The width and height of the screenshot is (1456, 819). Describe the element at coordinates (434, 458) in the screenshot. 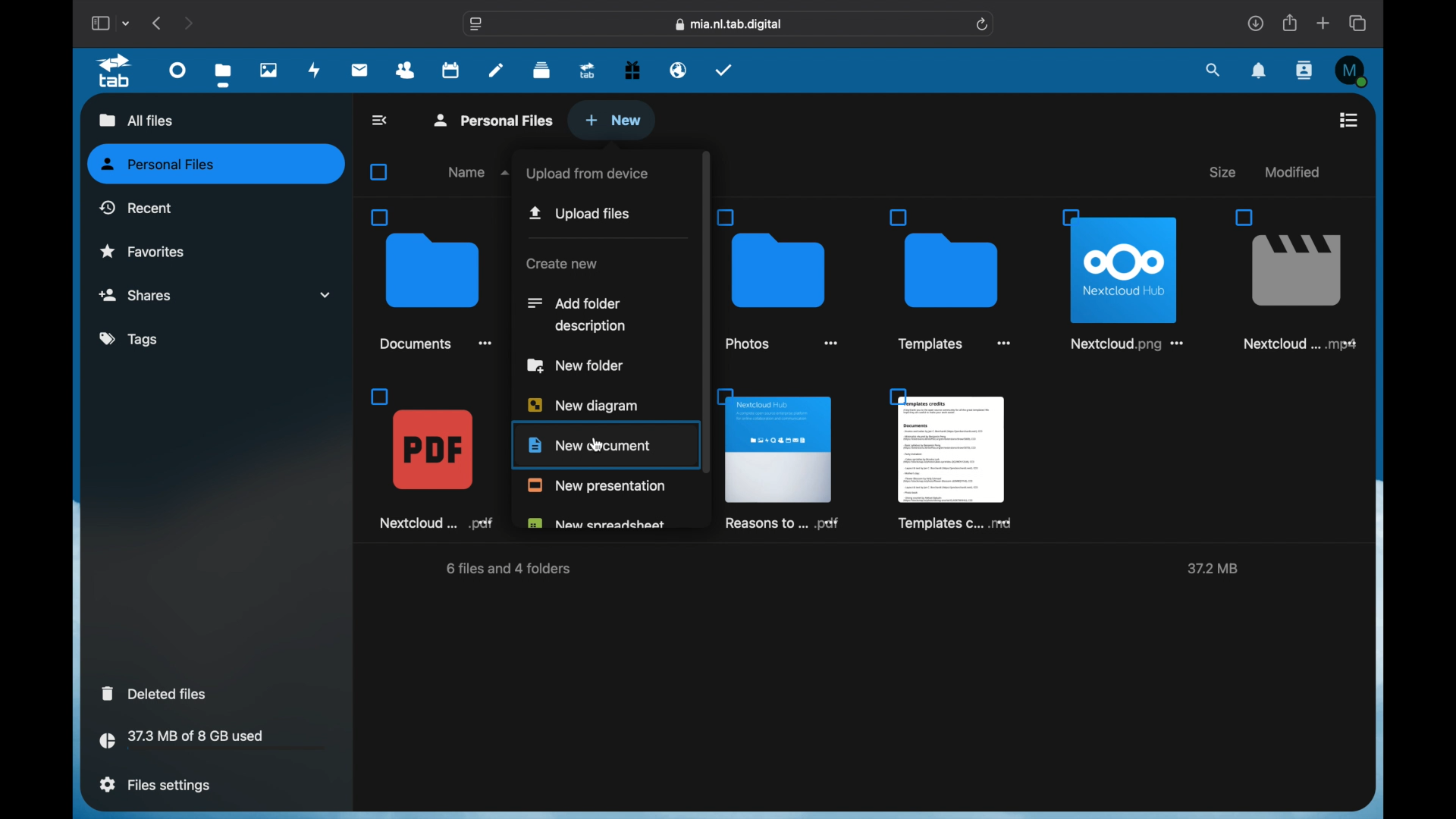

I see `file` at that location.